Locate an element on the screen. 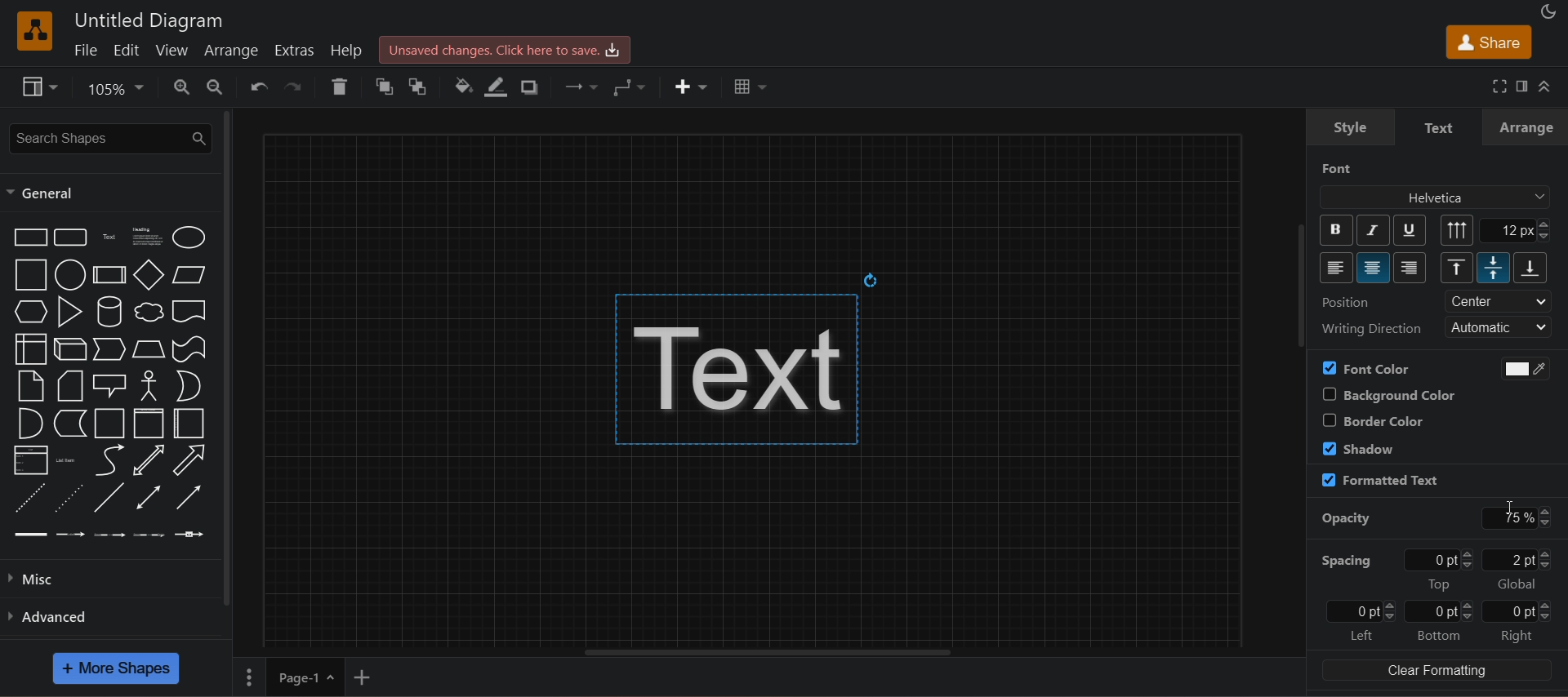  right is located at coordinates (1410, 268).